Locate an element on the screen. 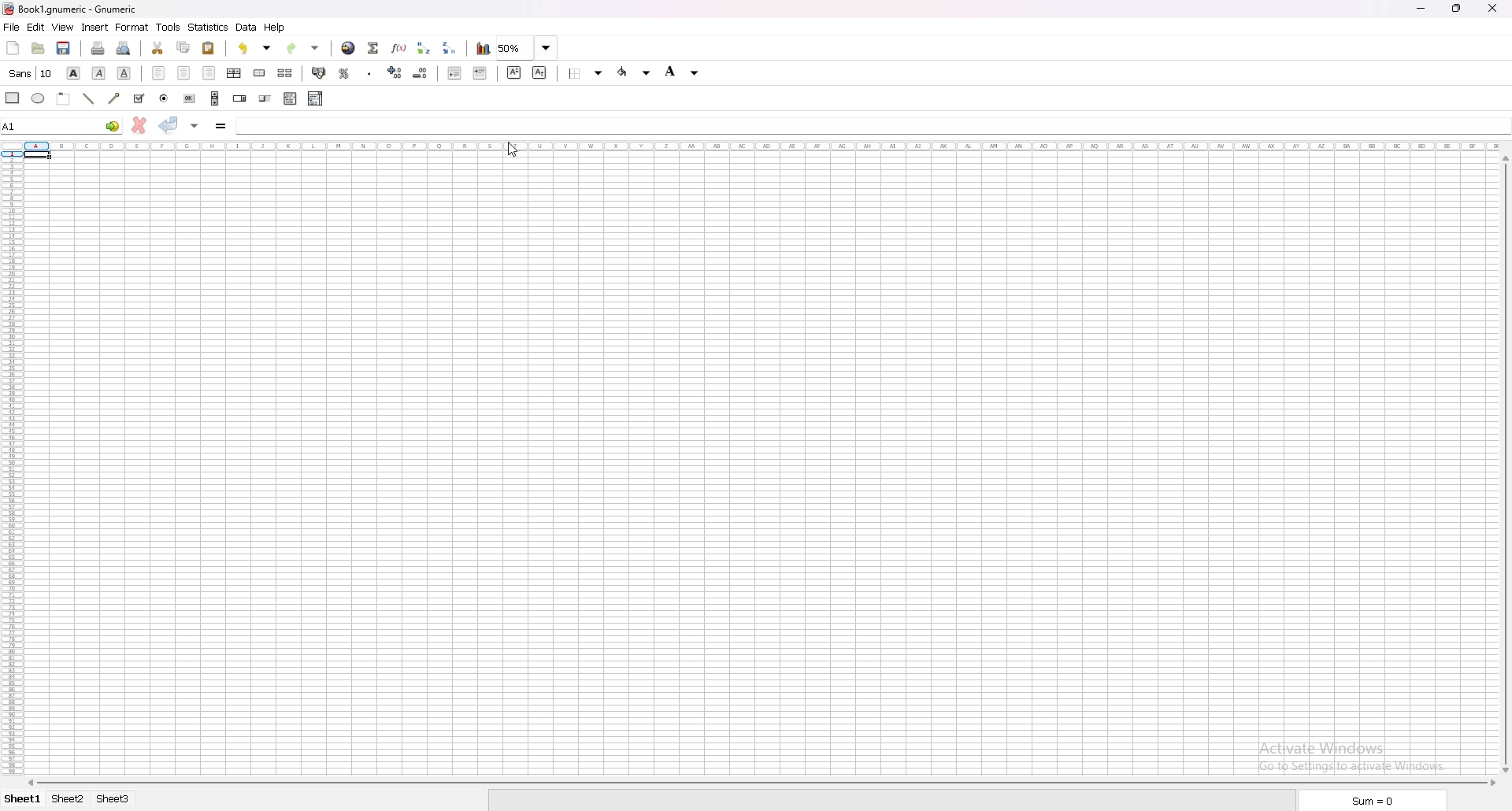 Image resolution: width=1512 pixels, height=811 pixels. sort ascending is located at coordinates (424, 48).